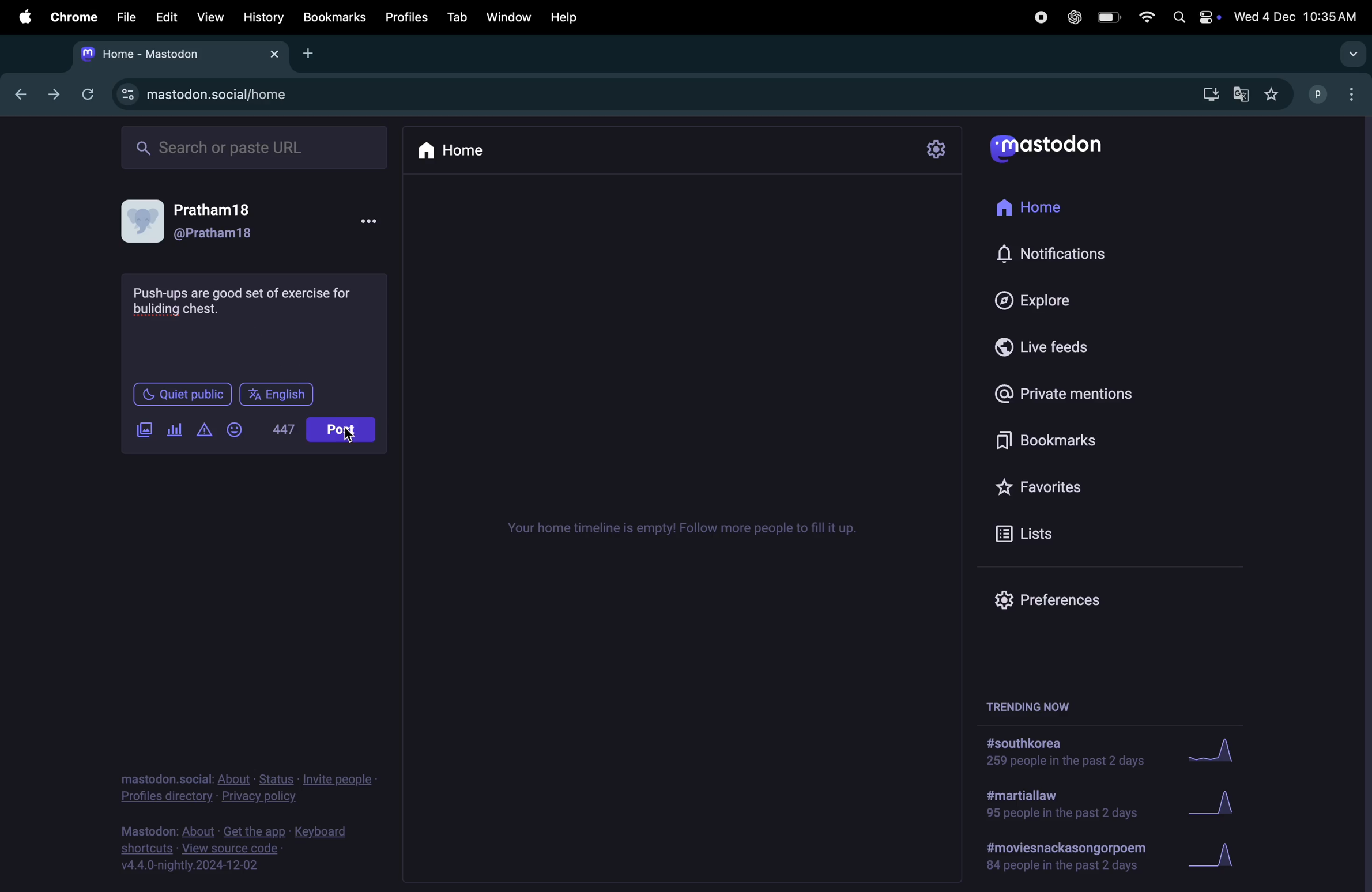 This screenshot has height=892, width=1372. Describe the element at coordinates (148, 430) in the screenshot. I see `add images` at that location.